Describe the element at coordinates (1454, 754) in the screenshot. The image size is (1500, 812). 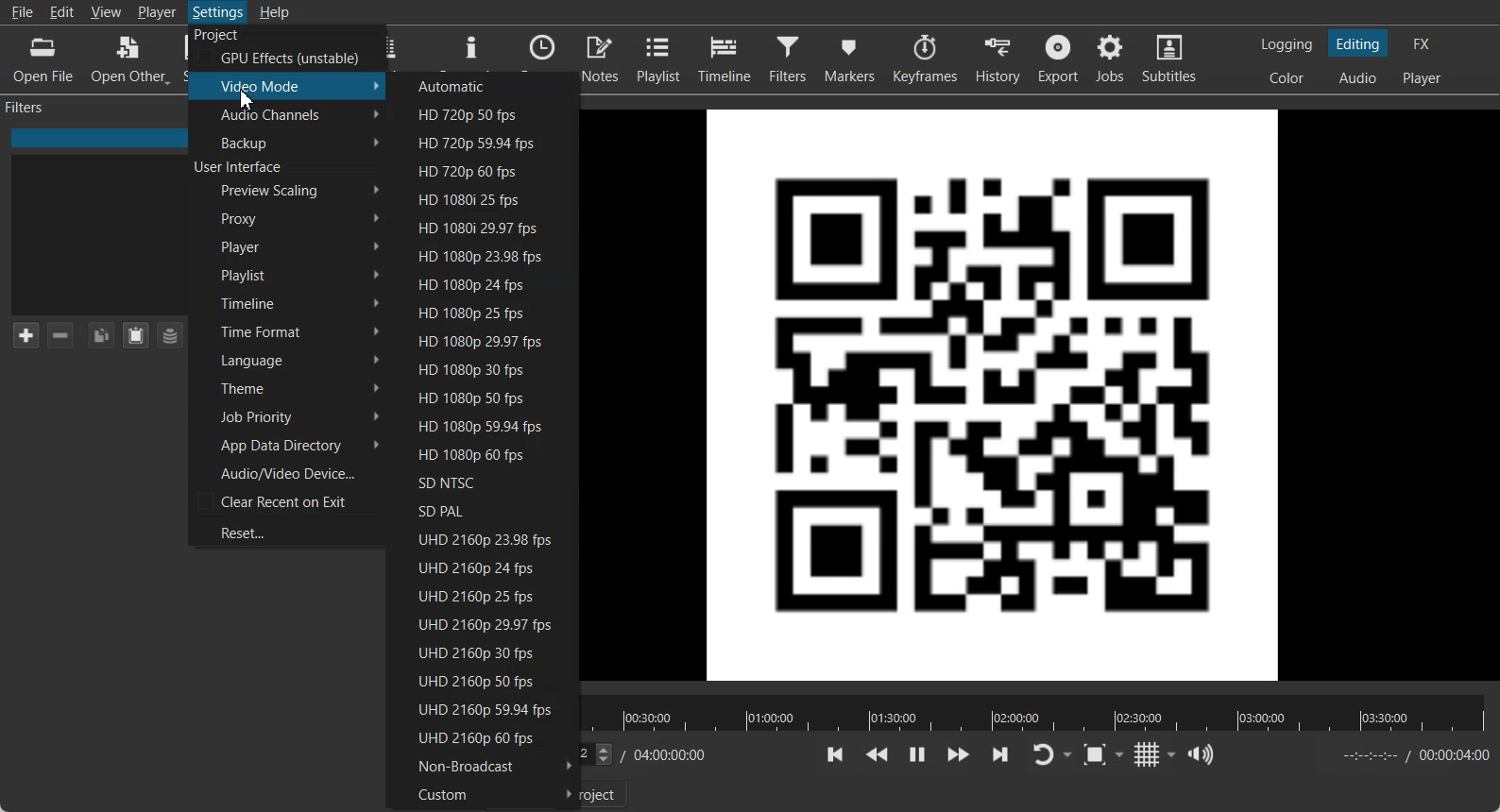
I see `Time added` at that location.